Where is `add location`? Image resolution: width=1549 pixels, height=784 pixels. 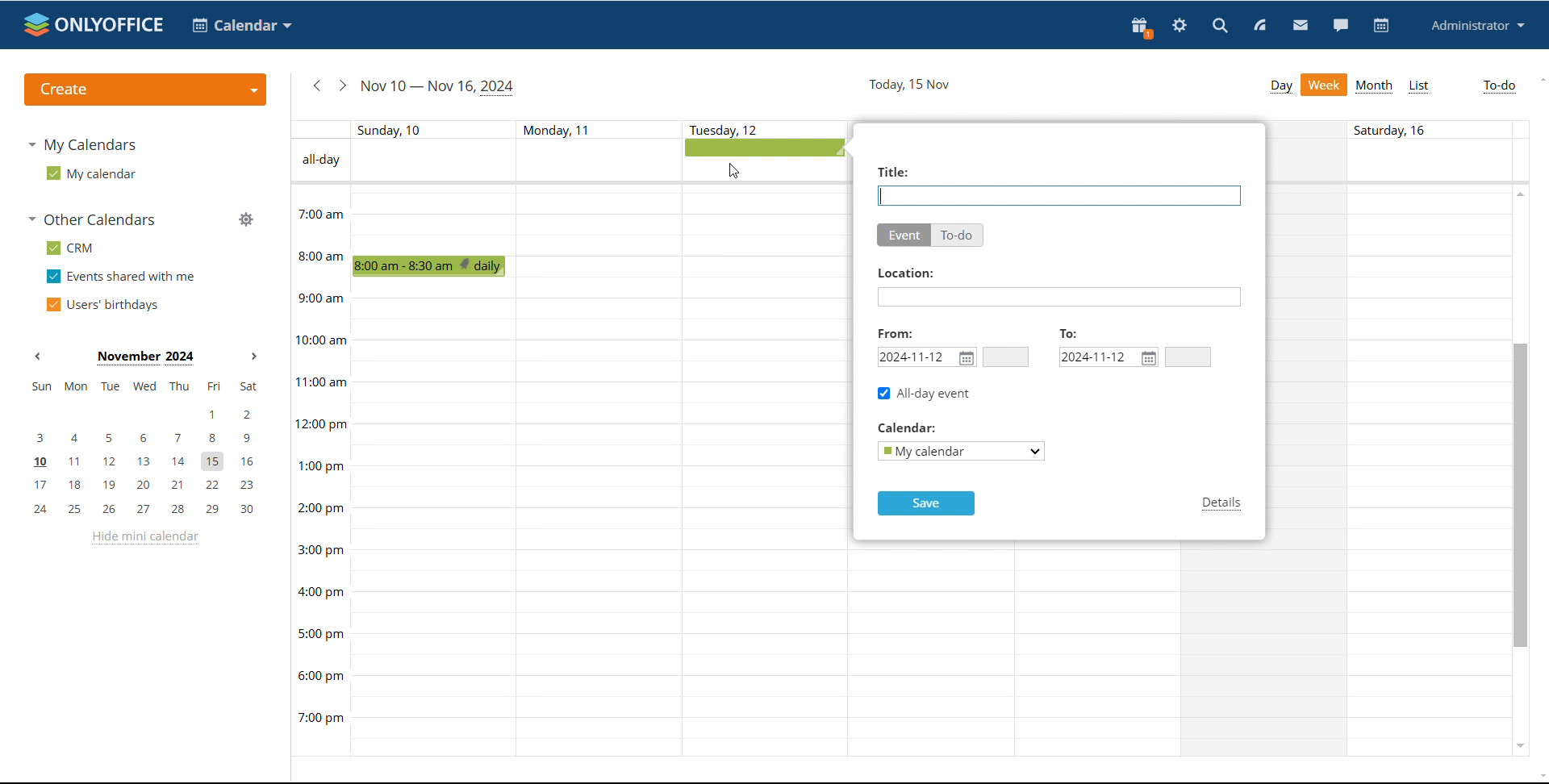 add location is located at coordinates (1058, 298).